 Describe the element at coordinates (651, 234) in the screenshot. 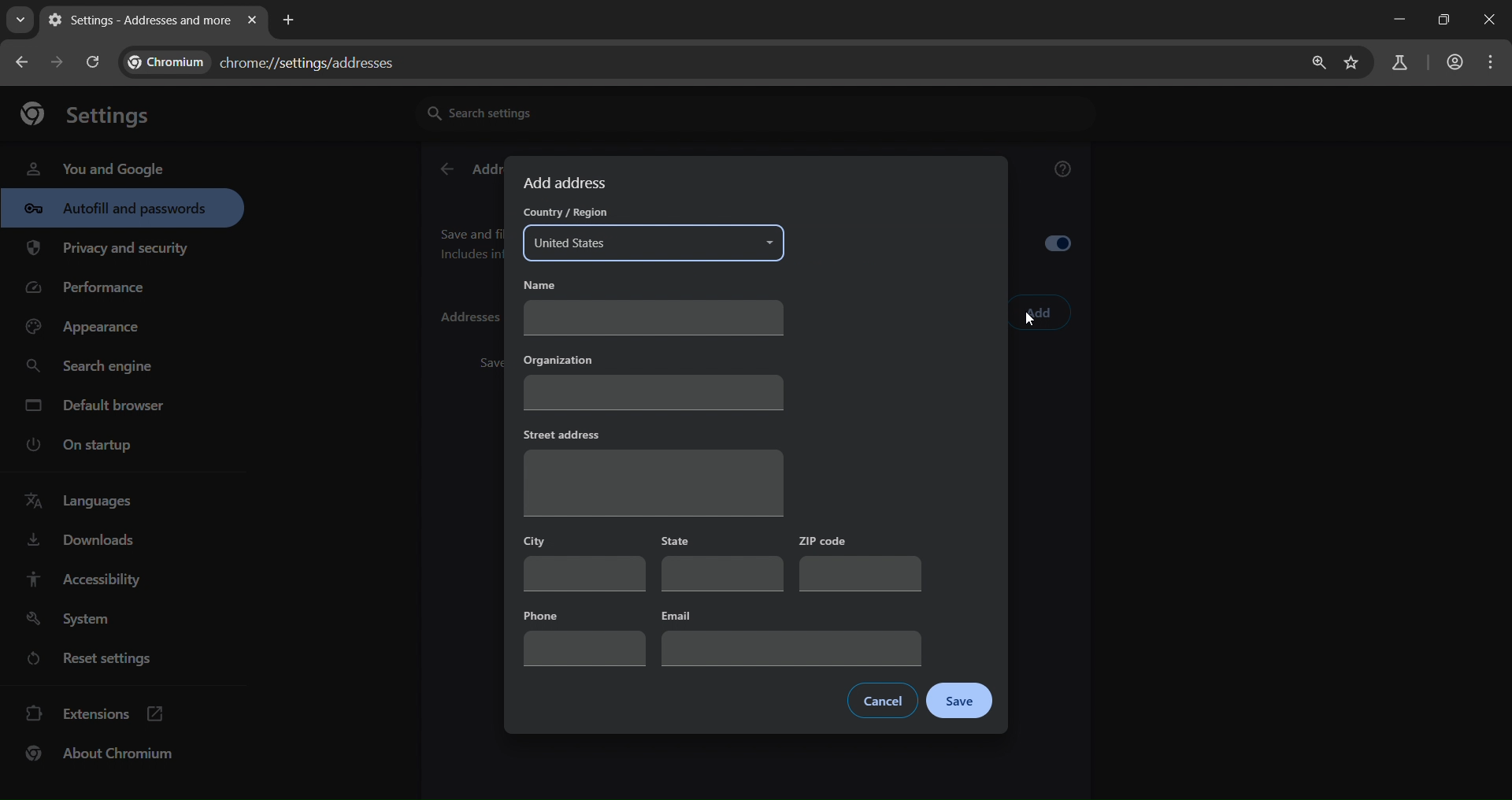

I see `country` at that location.